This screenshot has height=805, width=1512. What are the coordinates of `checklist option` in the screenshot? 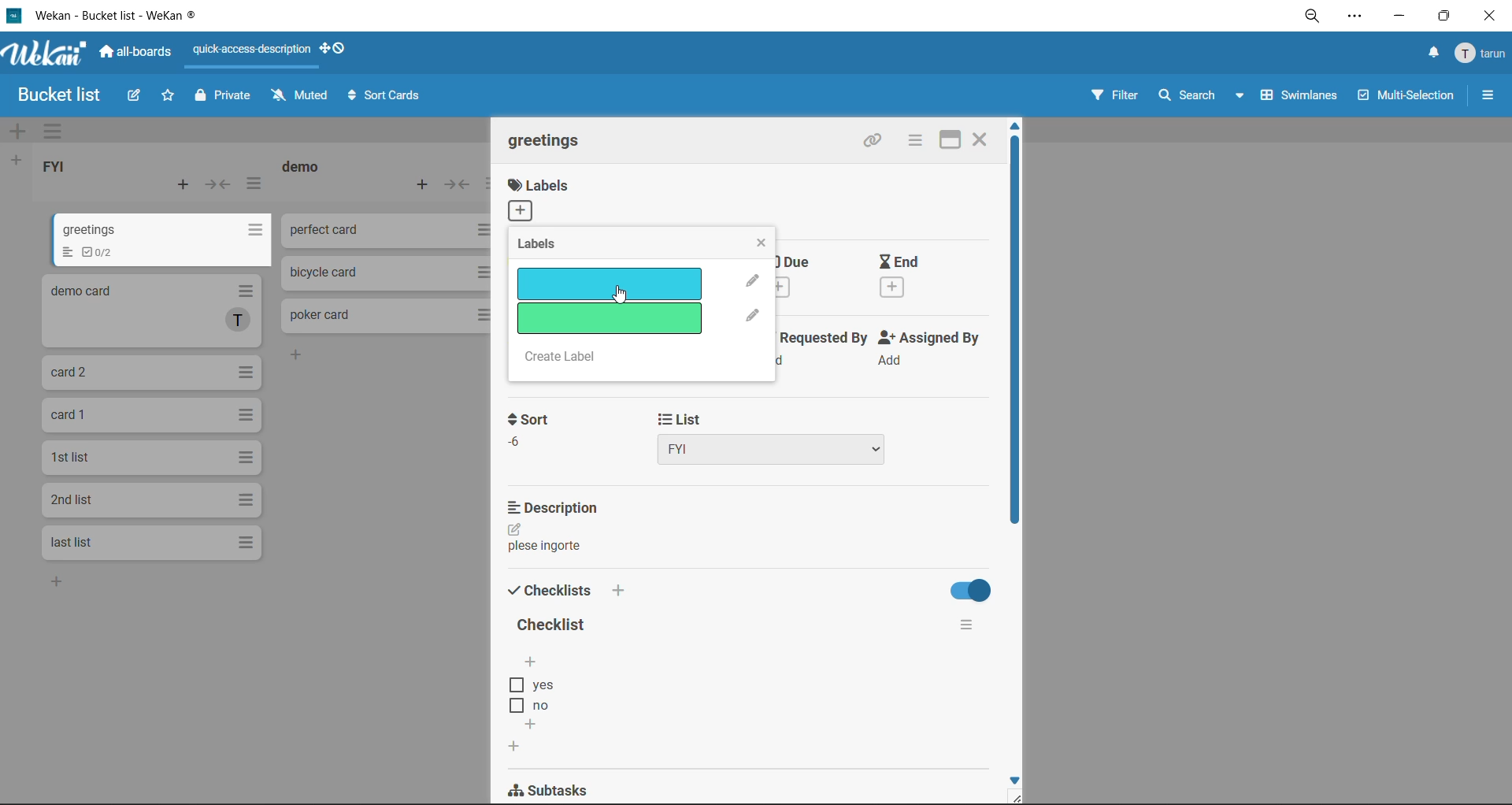 It's located at (539, 704).